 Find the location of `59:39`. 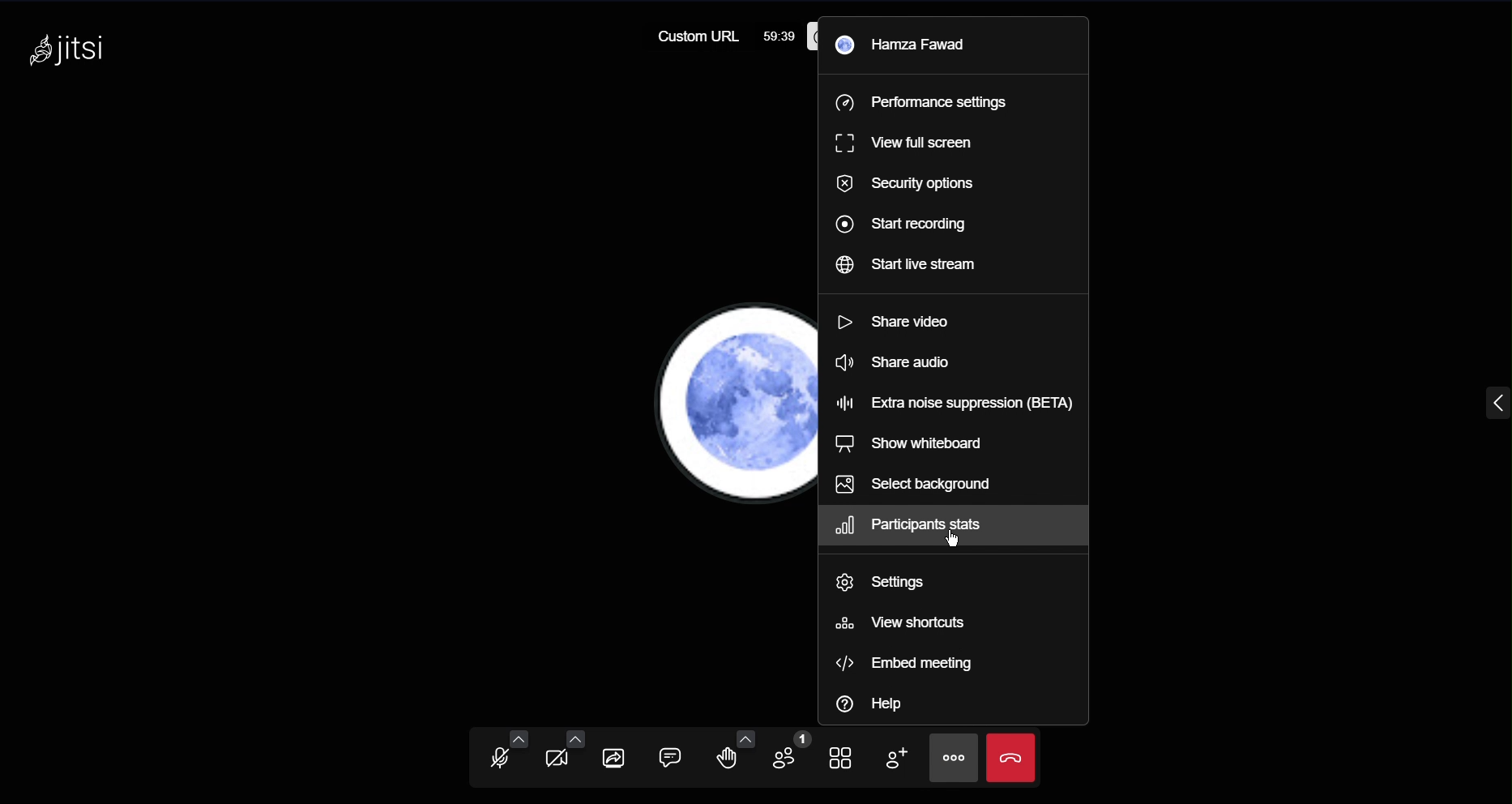

59:39 is located at coordinates (781, 36).